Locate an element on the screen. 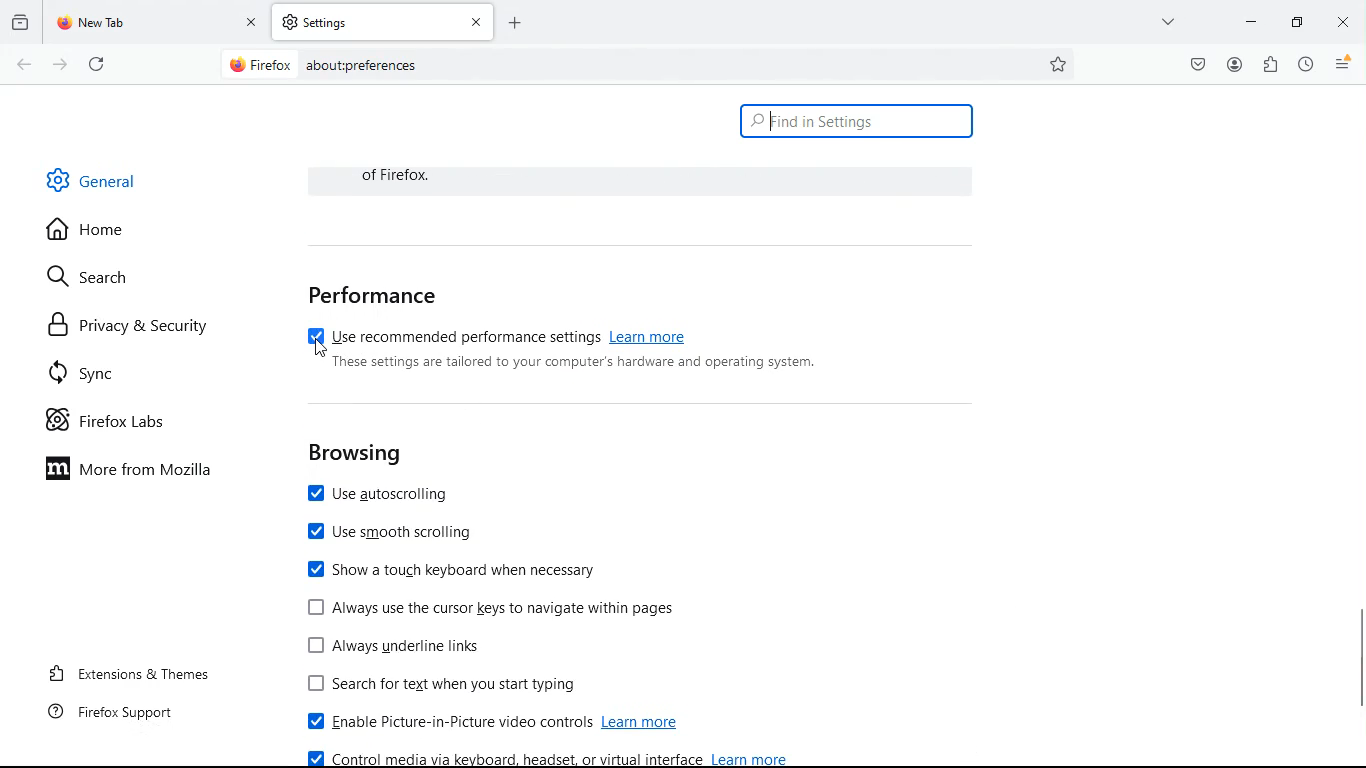 This screenshot has height=768, width=1366. forward is located at coordinates (59, 64).